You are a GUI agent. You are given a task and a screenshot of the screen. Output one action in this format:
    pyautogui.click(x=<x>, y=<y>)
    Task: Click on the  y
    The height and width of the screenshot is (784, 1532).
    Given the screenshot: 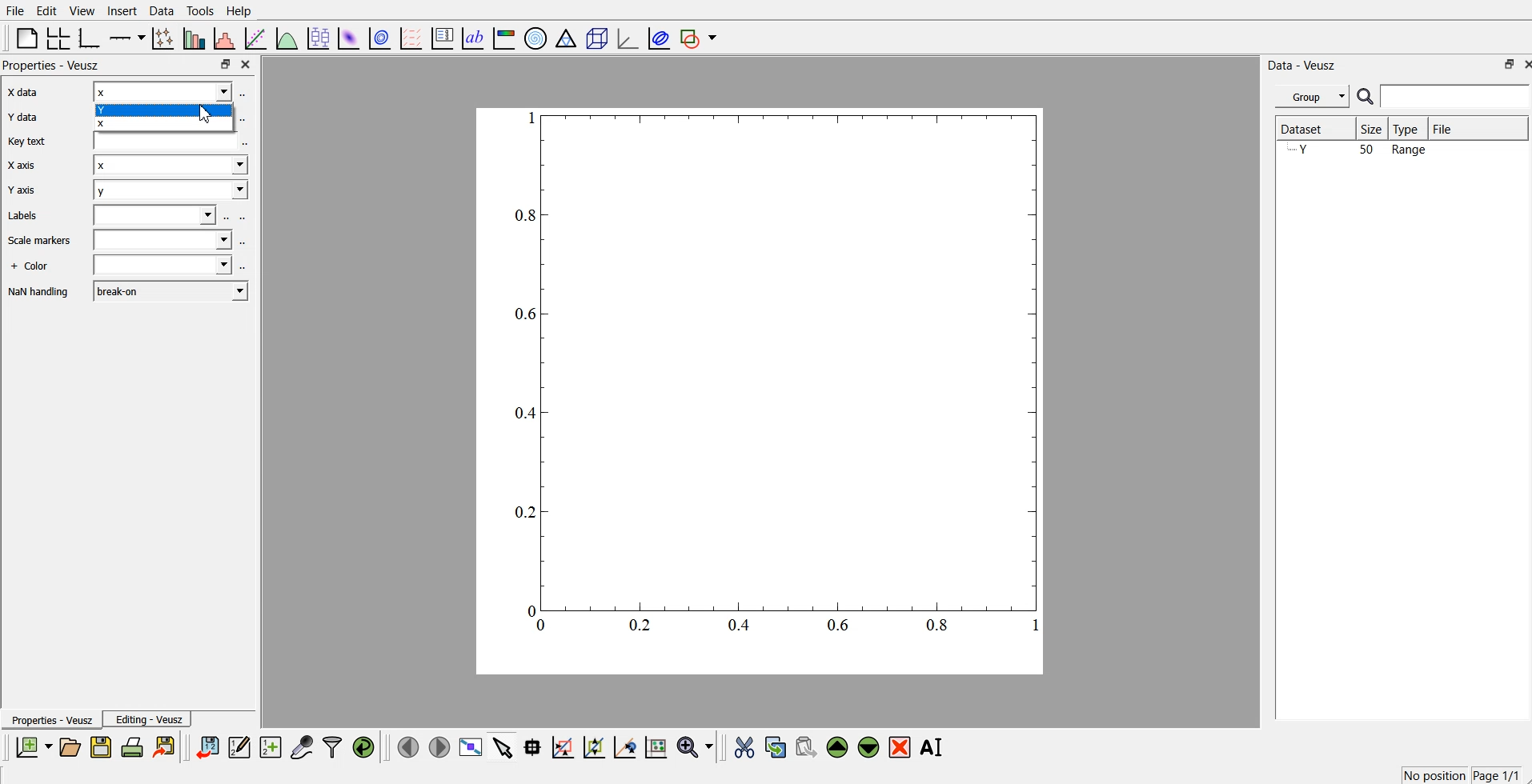 What is the action you would take?
    pyautogui.click(x=171, y=192)
    